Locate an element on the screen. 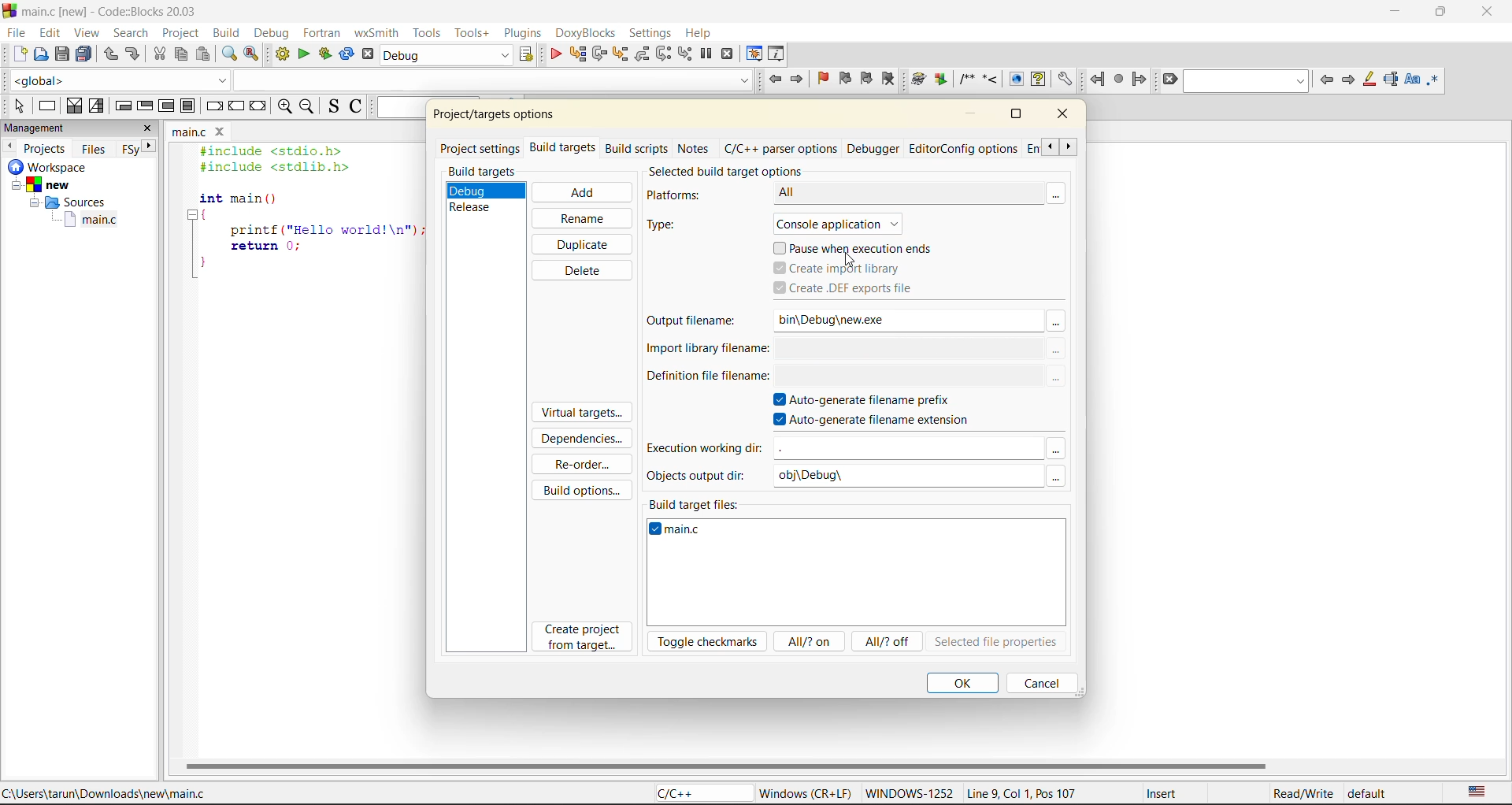 This screenshot has width=1512, height=805. previous is located at coordinates (1327, 81).